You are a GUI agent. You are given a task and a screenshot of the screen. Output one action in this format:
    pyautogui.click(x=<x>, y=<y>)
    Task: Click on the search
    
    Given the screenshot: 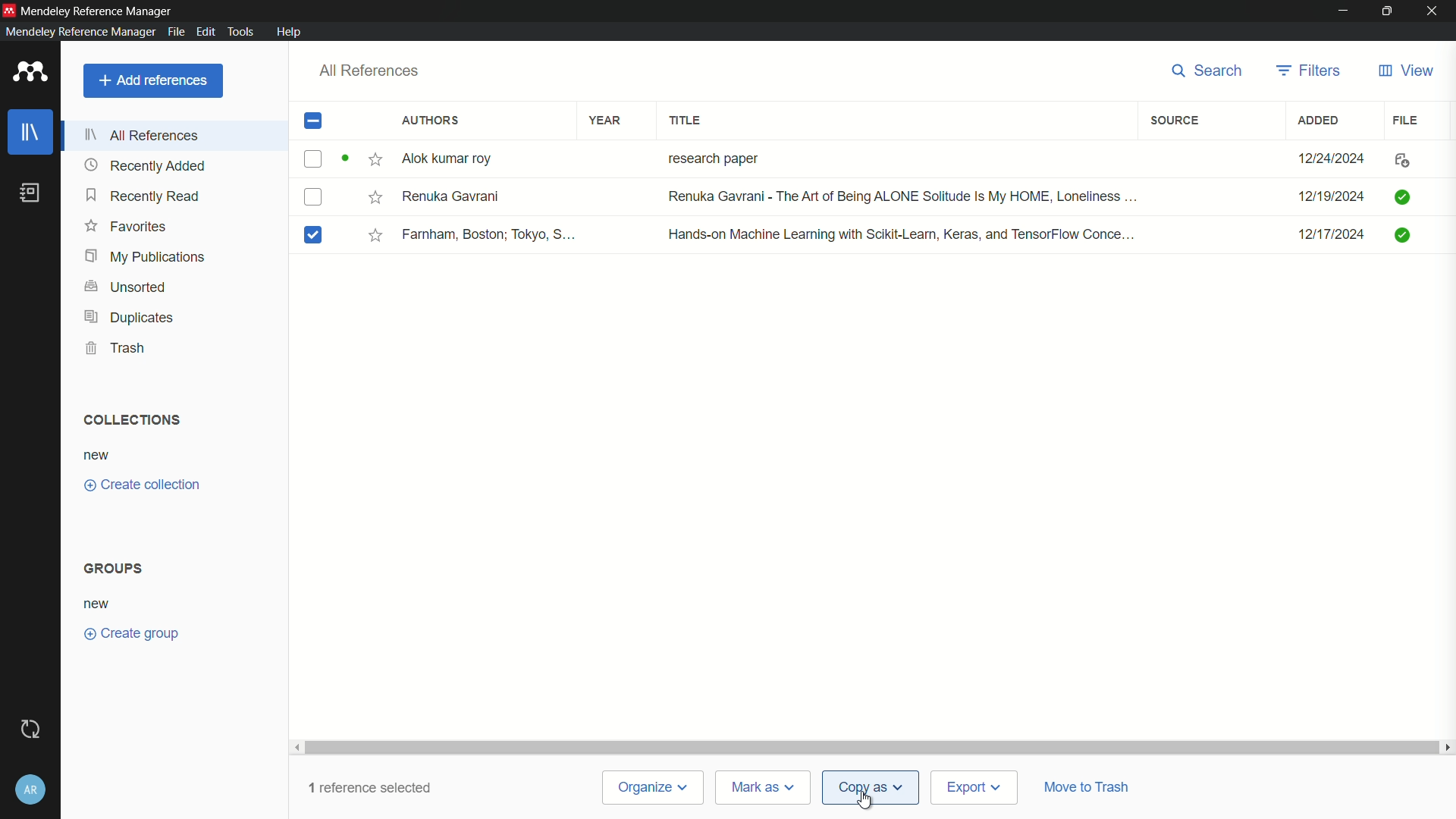 What is the action you would take?
    pyautogui.click(x=1209, y=71)
    